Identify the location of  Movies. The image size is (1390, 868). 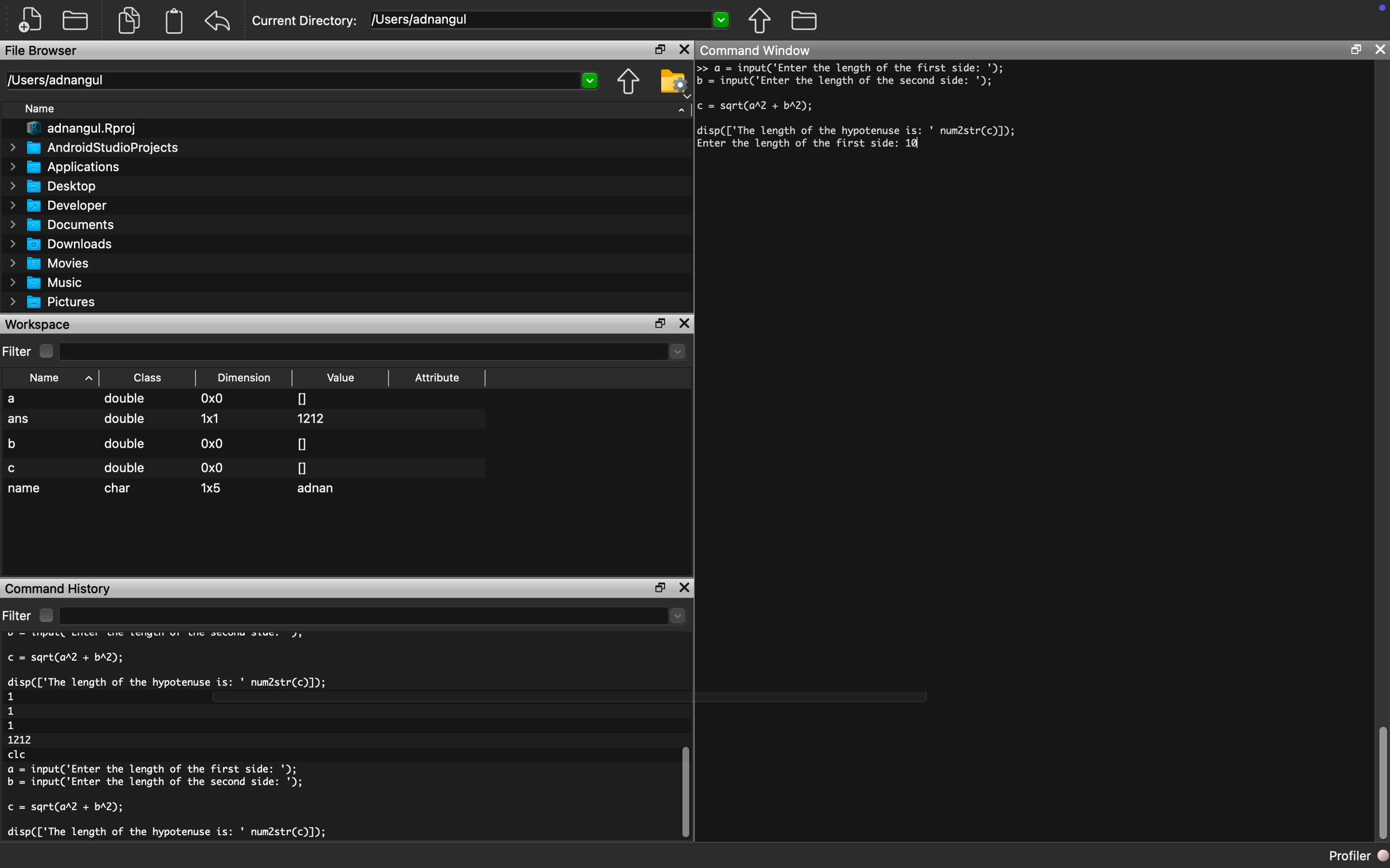
(51, 263).